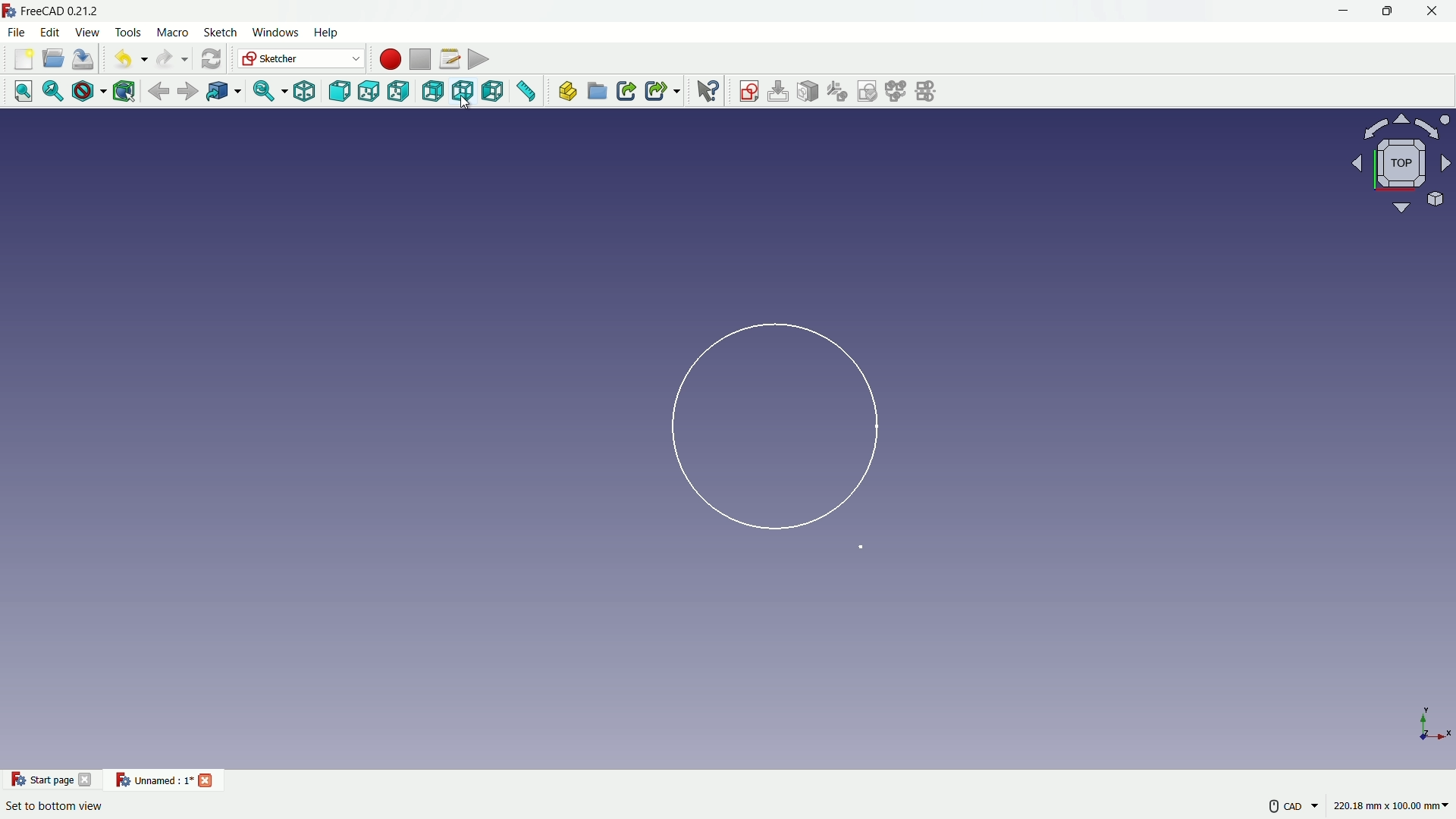  Describe the element at coordinates (39, 780) in the screenshot. I see `start page` at that location.